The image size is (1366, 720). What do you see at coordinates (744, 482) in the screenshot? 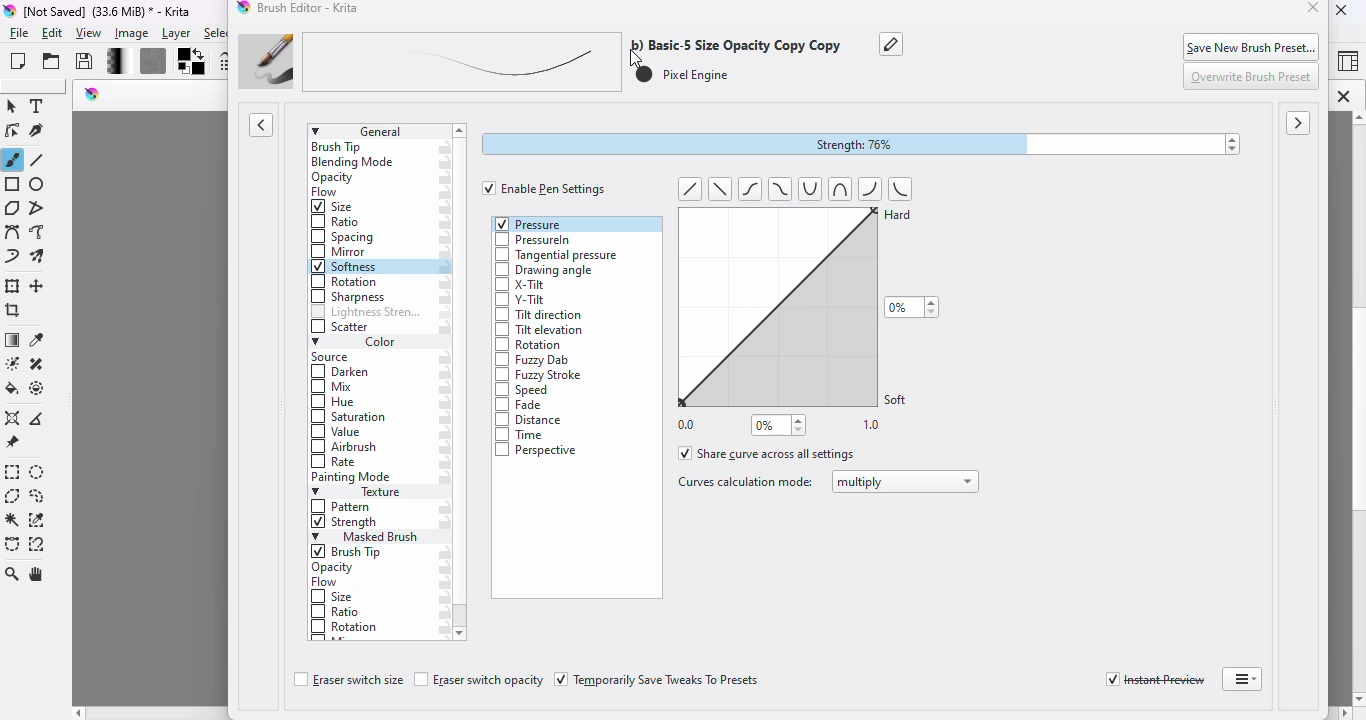
I see `curves calculation mode` at bounding box center [744, 482].